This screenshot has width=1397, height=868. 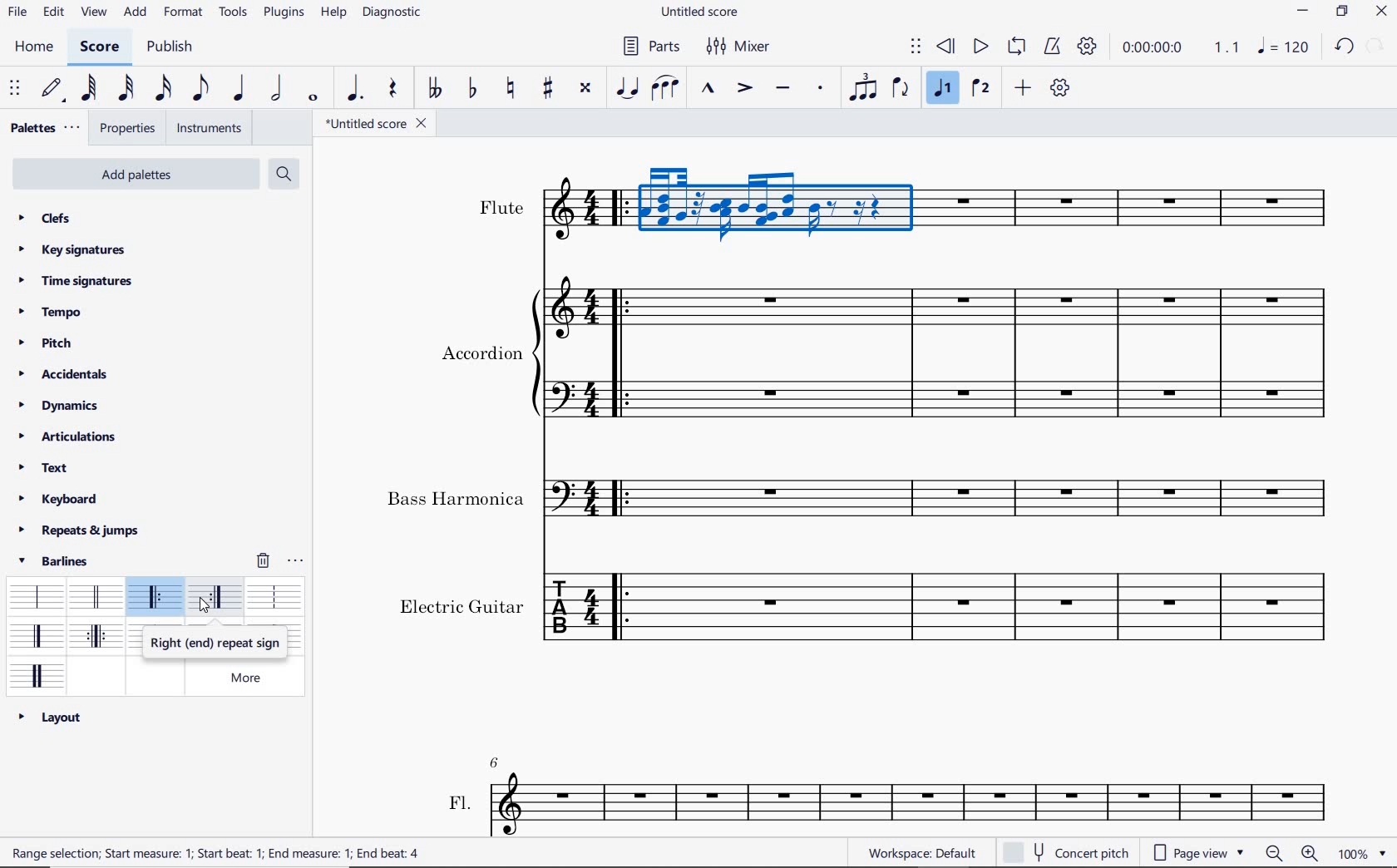 What do you see at coordinates (136, 12) in the screenshot?
I see `add` at bounding box center [136, 12].